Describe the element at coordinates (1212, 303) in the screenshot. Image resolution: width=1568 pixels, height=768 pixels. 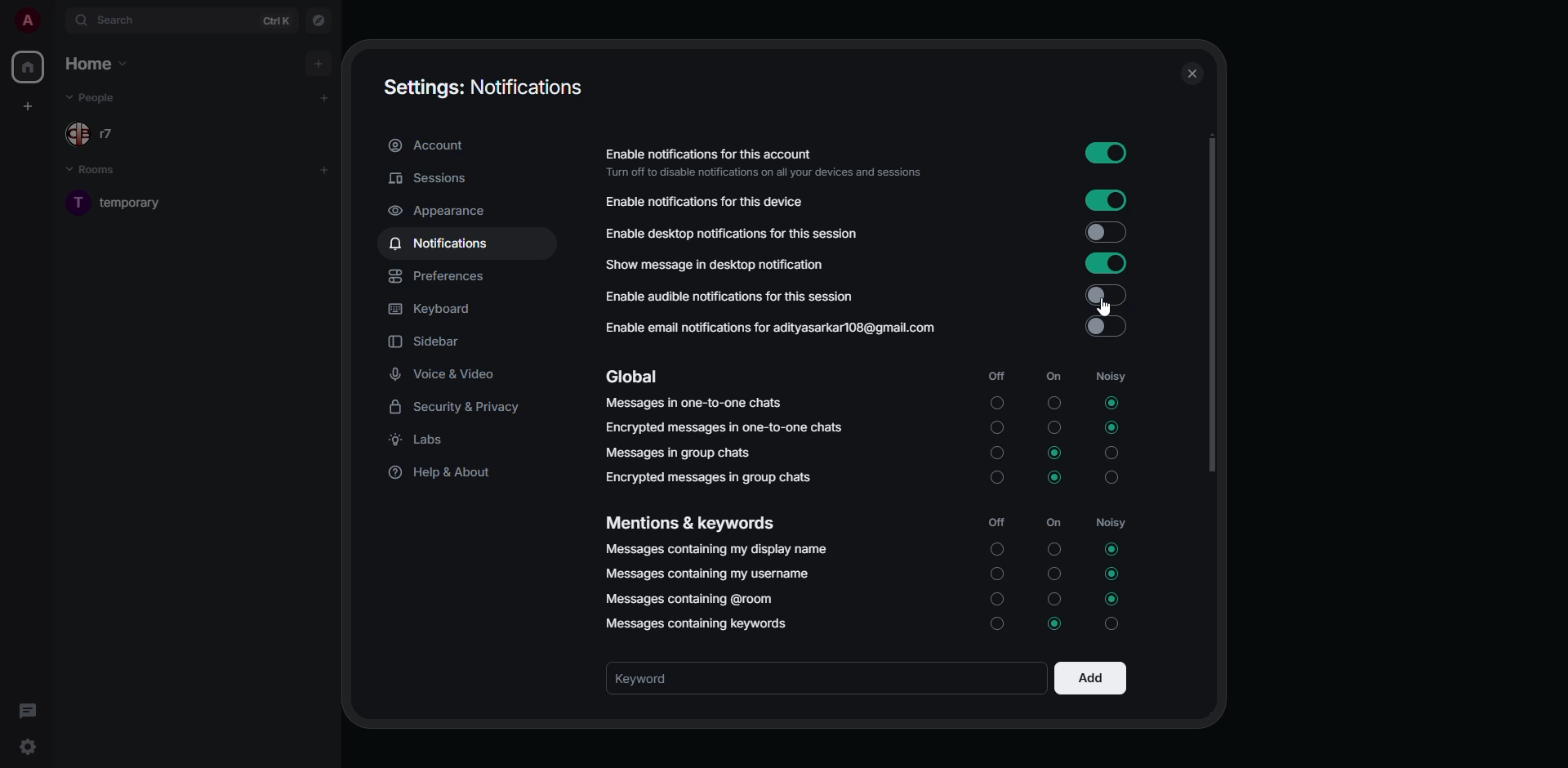
I see `scroll bar` at that location.